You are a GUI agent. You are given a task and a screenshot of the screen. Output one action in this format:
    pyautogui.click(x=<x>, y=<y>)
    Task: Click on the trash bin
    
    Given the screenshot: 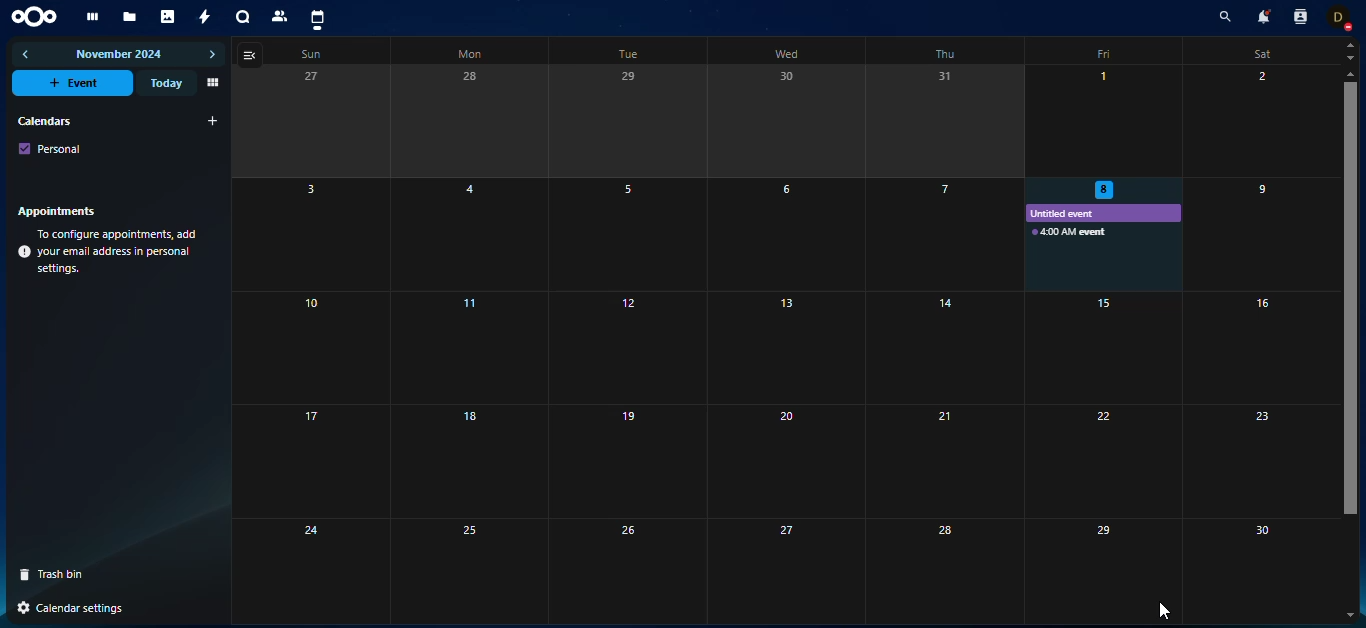 What is the action you would take?
    pyautogui.click(x=59, y=574)
    